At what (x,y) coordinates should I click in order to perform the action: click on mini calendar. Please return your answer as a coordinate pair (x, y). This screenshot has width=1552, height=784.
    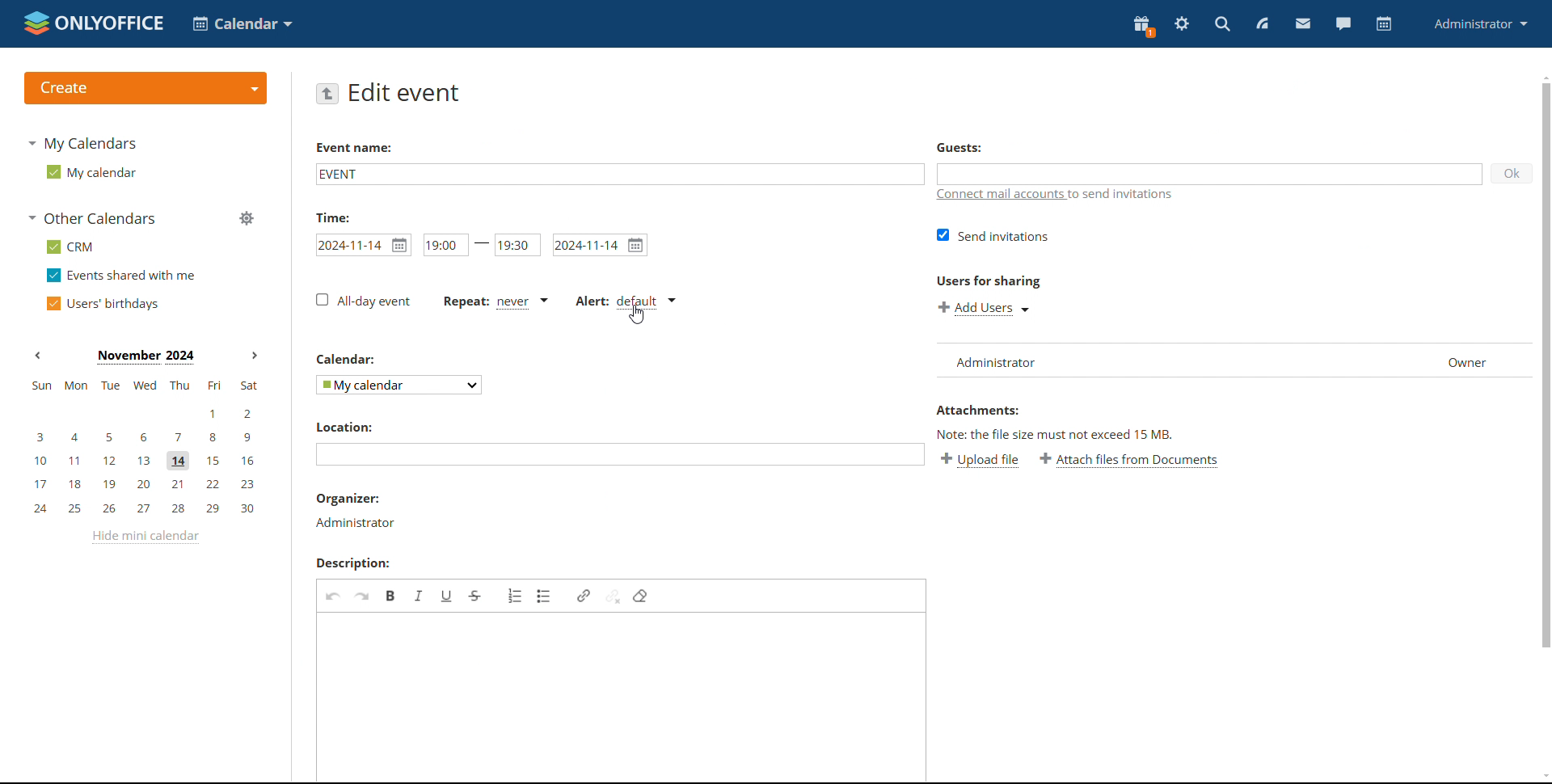
    Looking at the image, I should click on (145, 448).